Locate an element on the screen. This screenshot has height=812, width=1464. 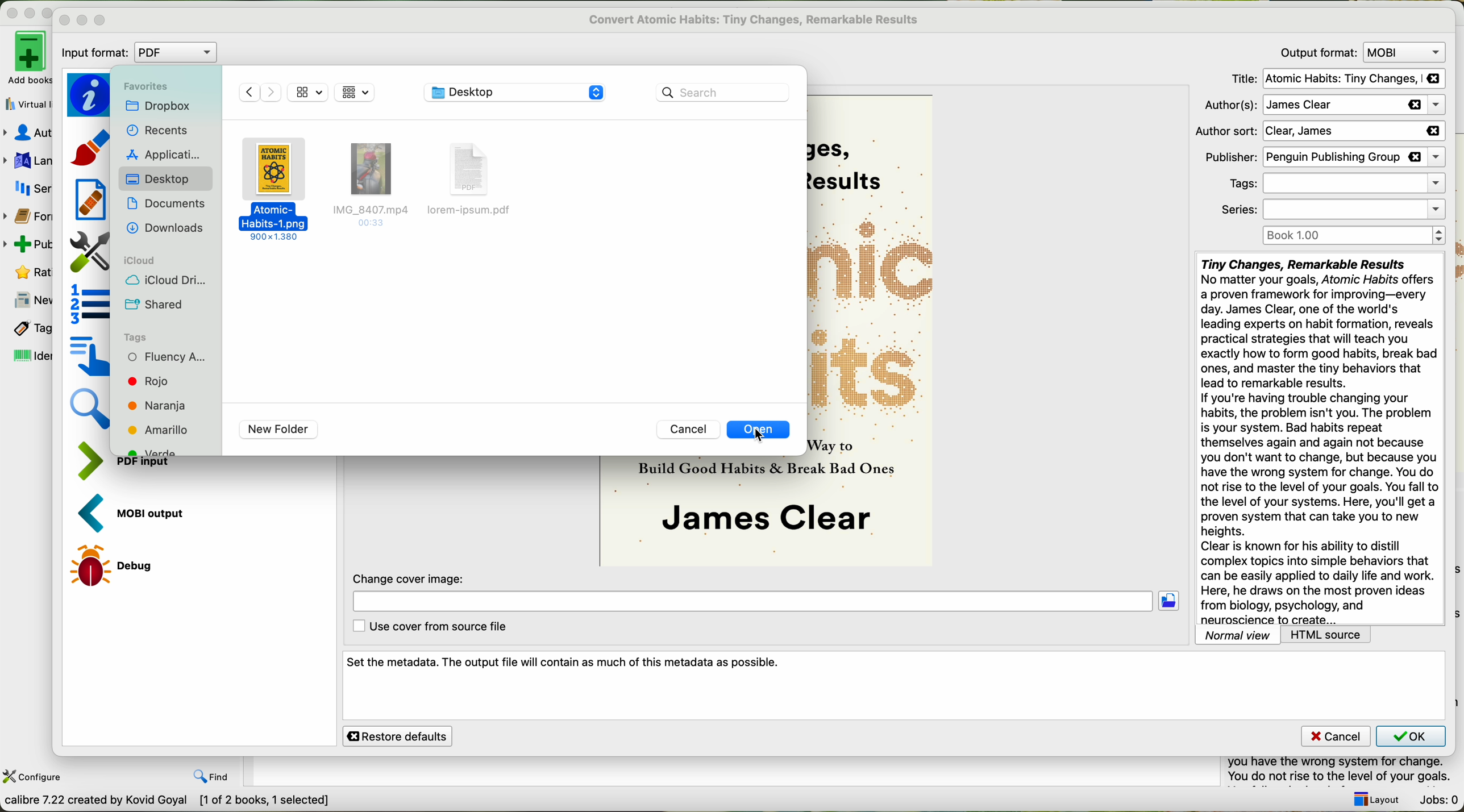
OK is located at coordinates (1410, 735).